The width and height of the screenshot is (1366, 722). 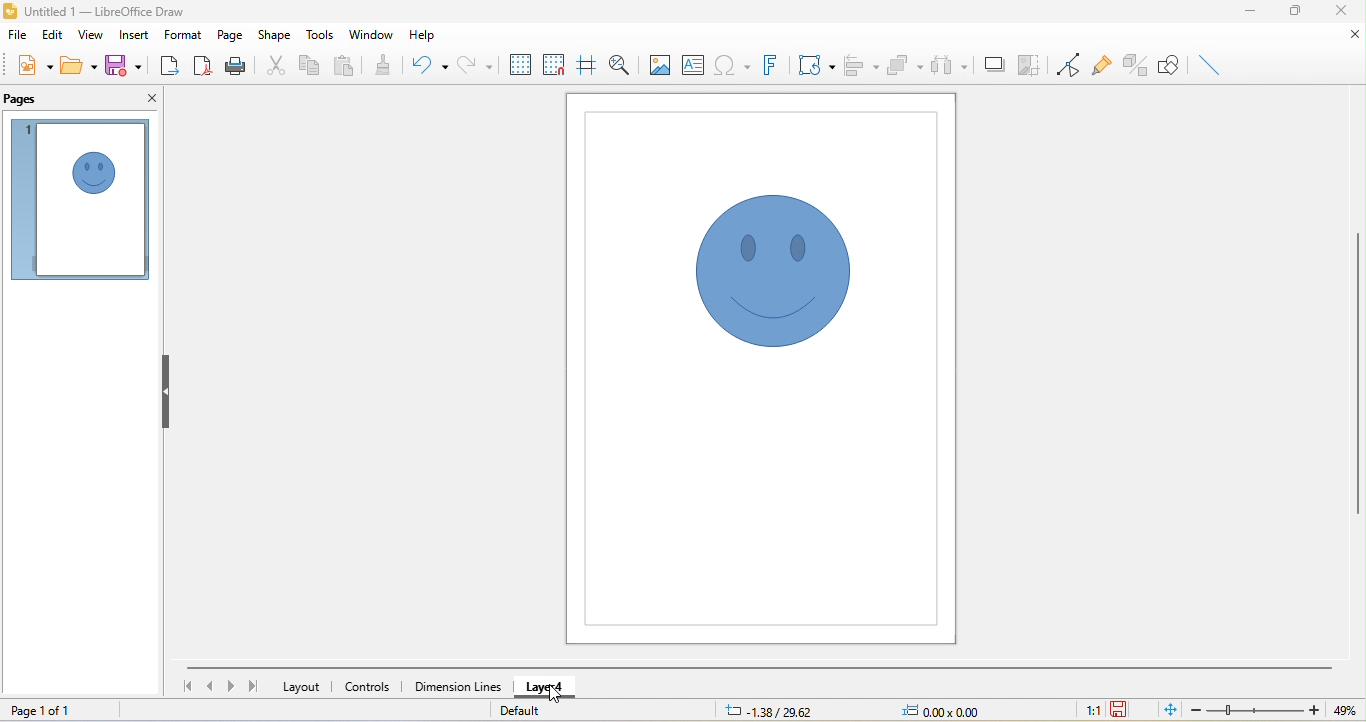 I want to click on the document has not been modified since the last save , so click(x=1126, y=710).